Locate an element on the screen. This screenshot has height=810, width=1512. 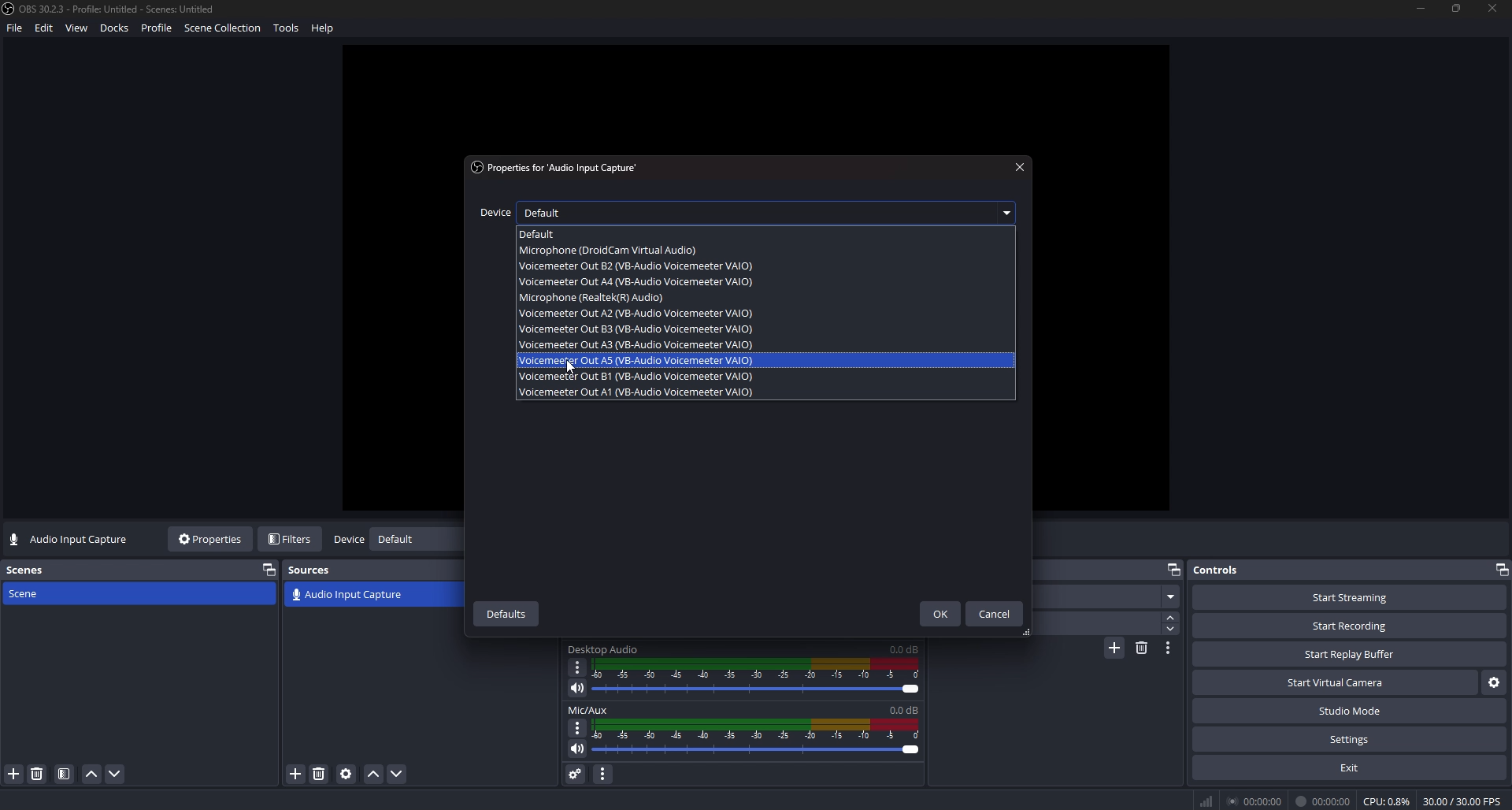
voicemeeter out a5 is located at coordinates (637, 360).